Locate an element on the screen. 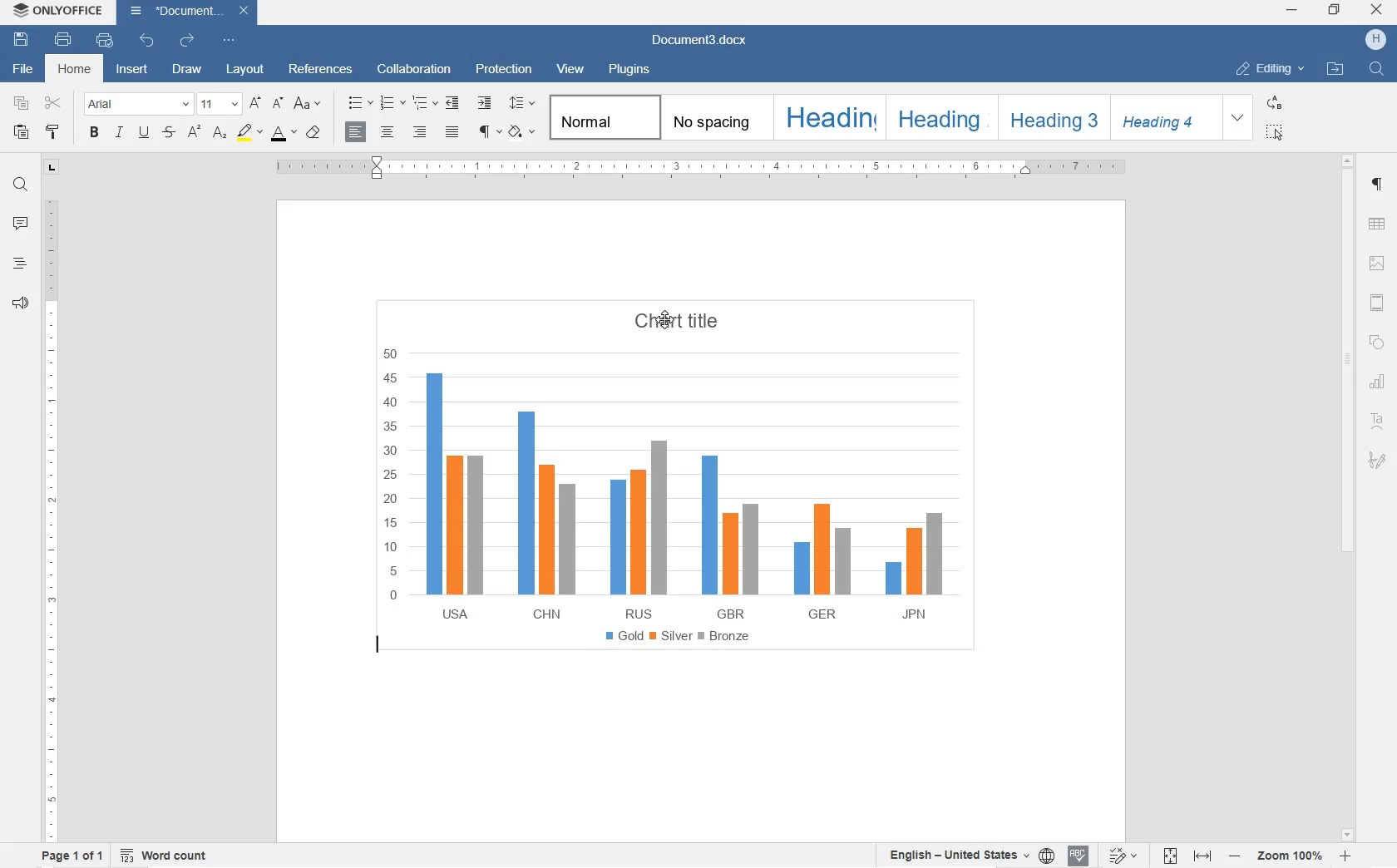 The image size is (1397, 868). SUPERSCRIPT is located at coordinates (193, 134).